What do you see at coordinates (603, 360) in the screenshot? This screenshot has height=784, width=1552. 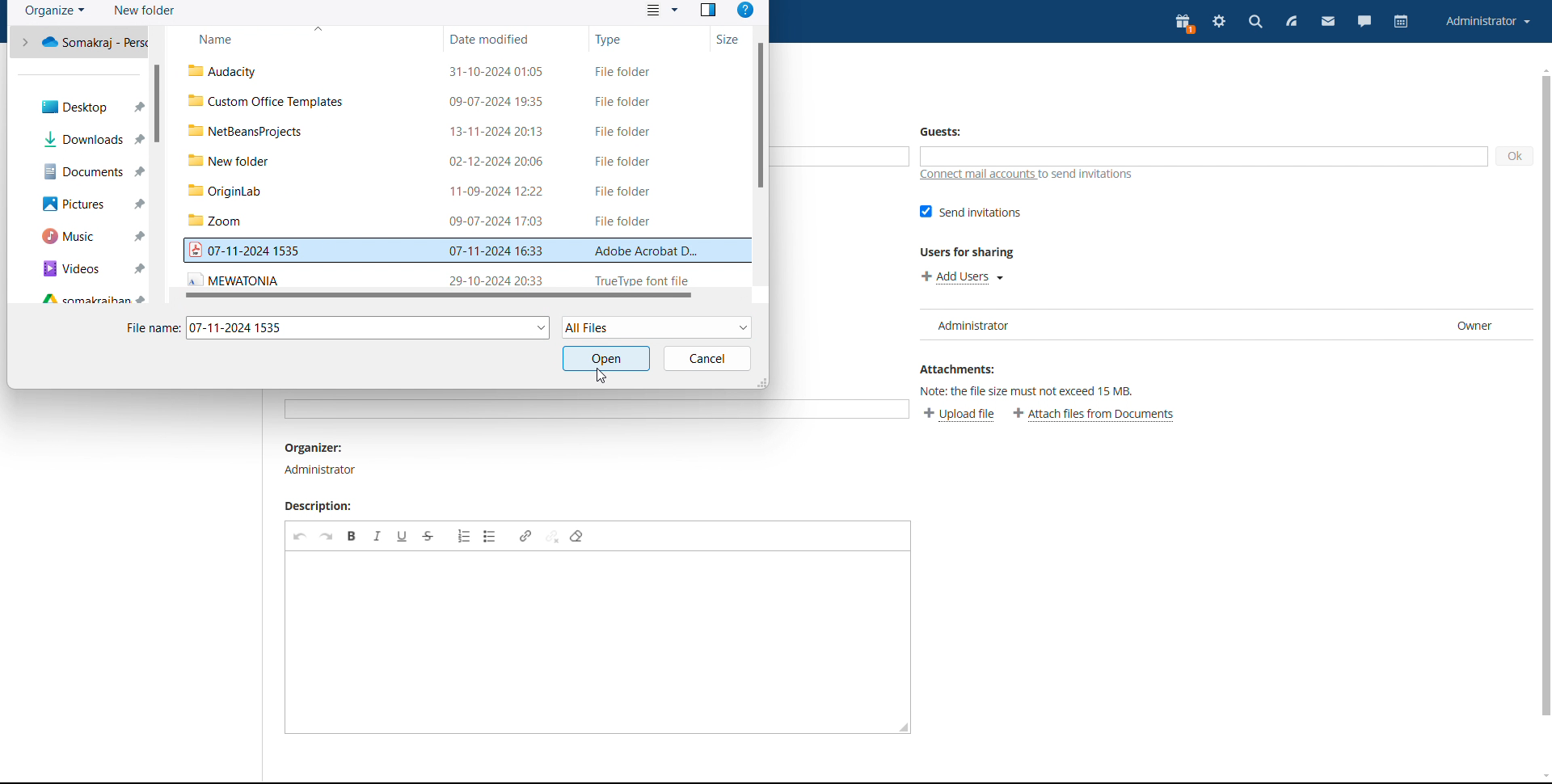 I see `` at bounding box center [603, 360].